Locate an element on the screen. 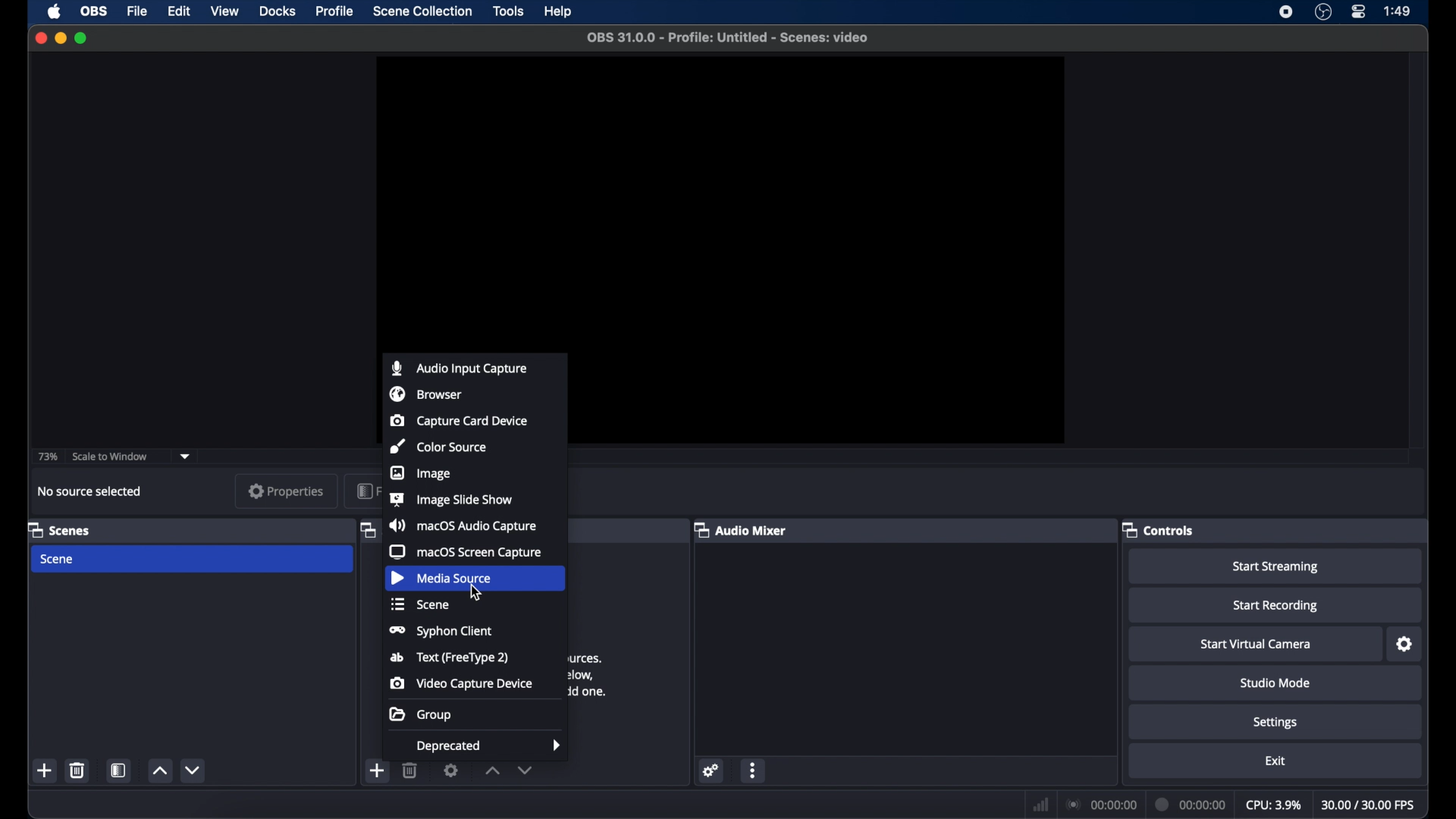 This screenshot has height=819, width=1456. settings is located at coordinates (450, 771).